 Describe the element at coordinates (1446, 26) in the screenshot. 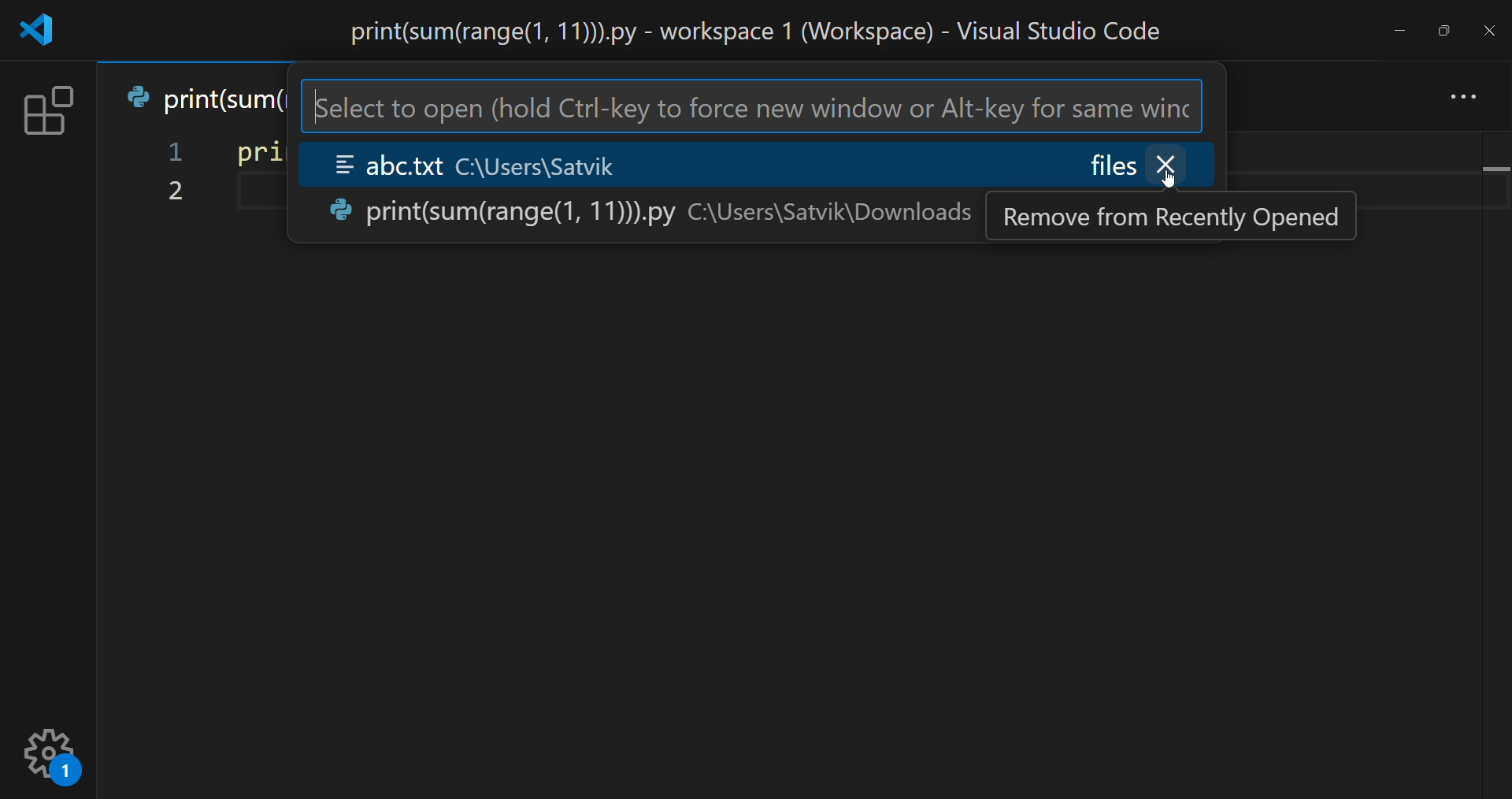

I see `maximize` at that location.